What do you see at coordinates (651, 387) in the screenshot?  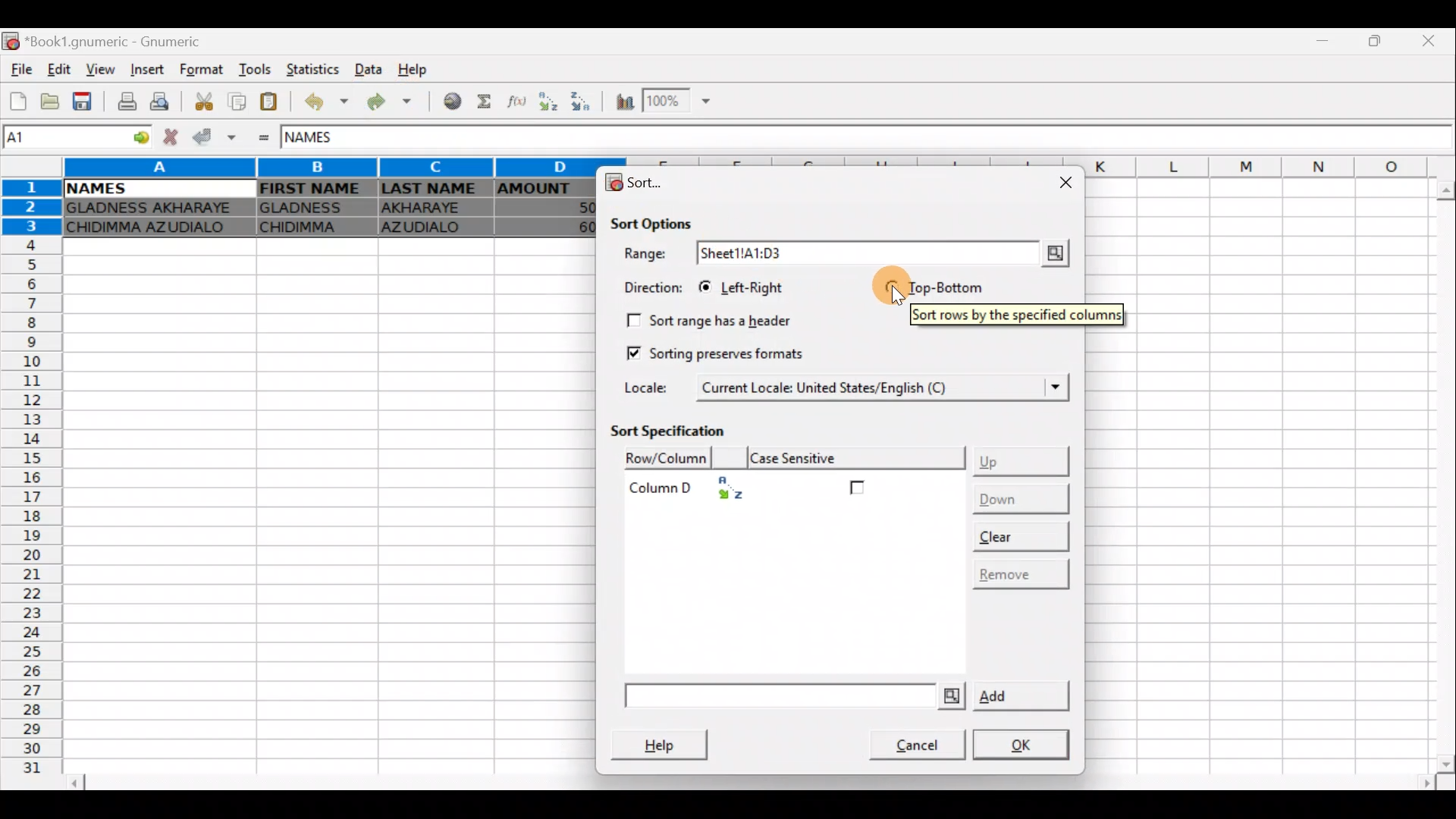 I see `Locale` at bounding box center [651, 387].